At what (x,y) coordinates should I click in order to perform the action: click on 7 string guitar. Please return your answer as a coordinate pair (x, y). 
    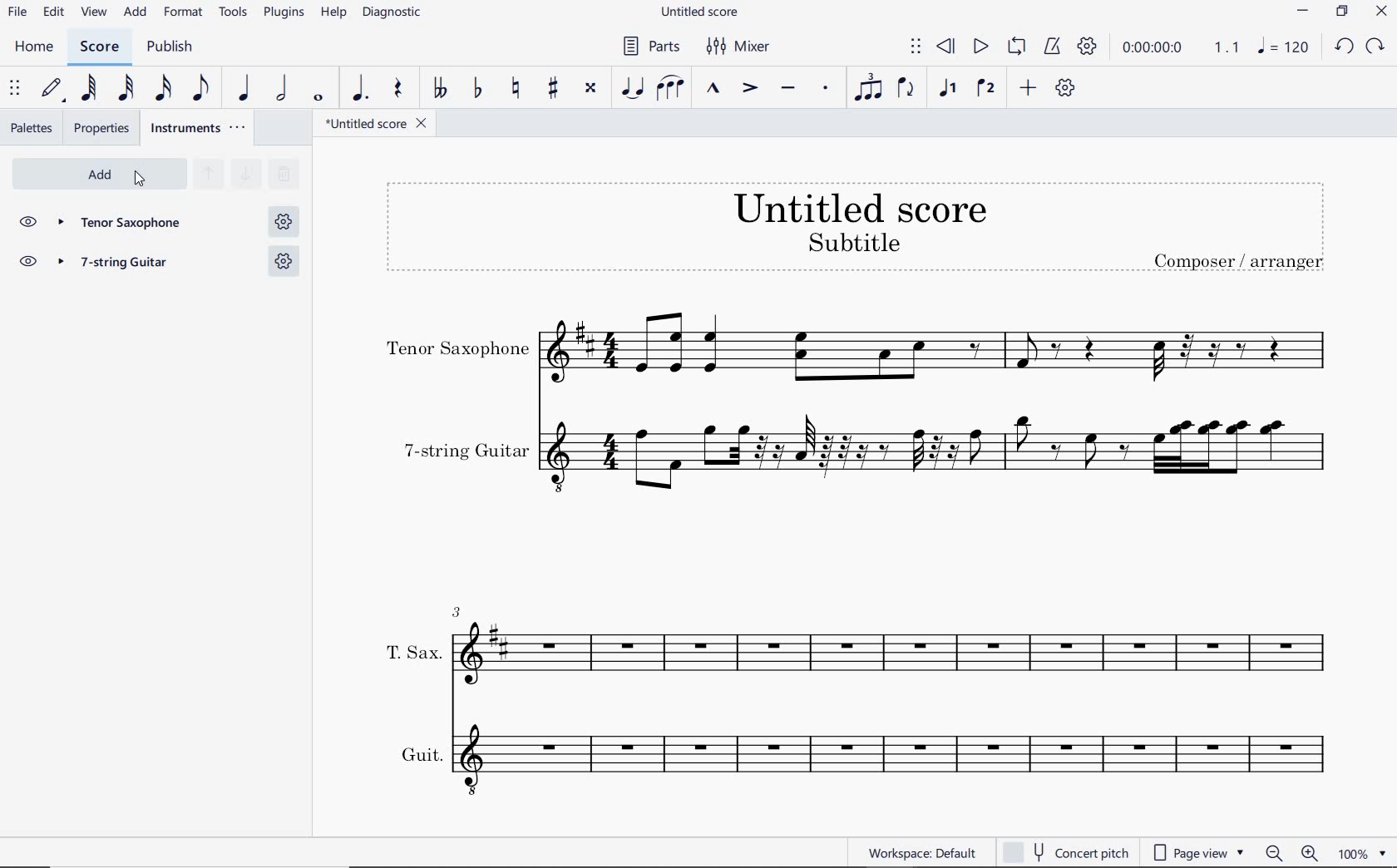
    Looking at the image, I should click on (130, 264).